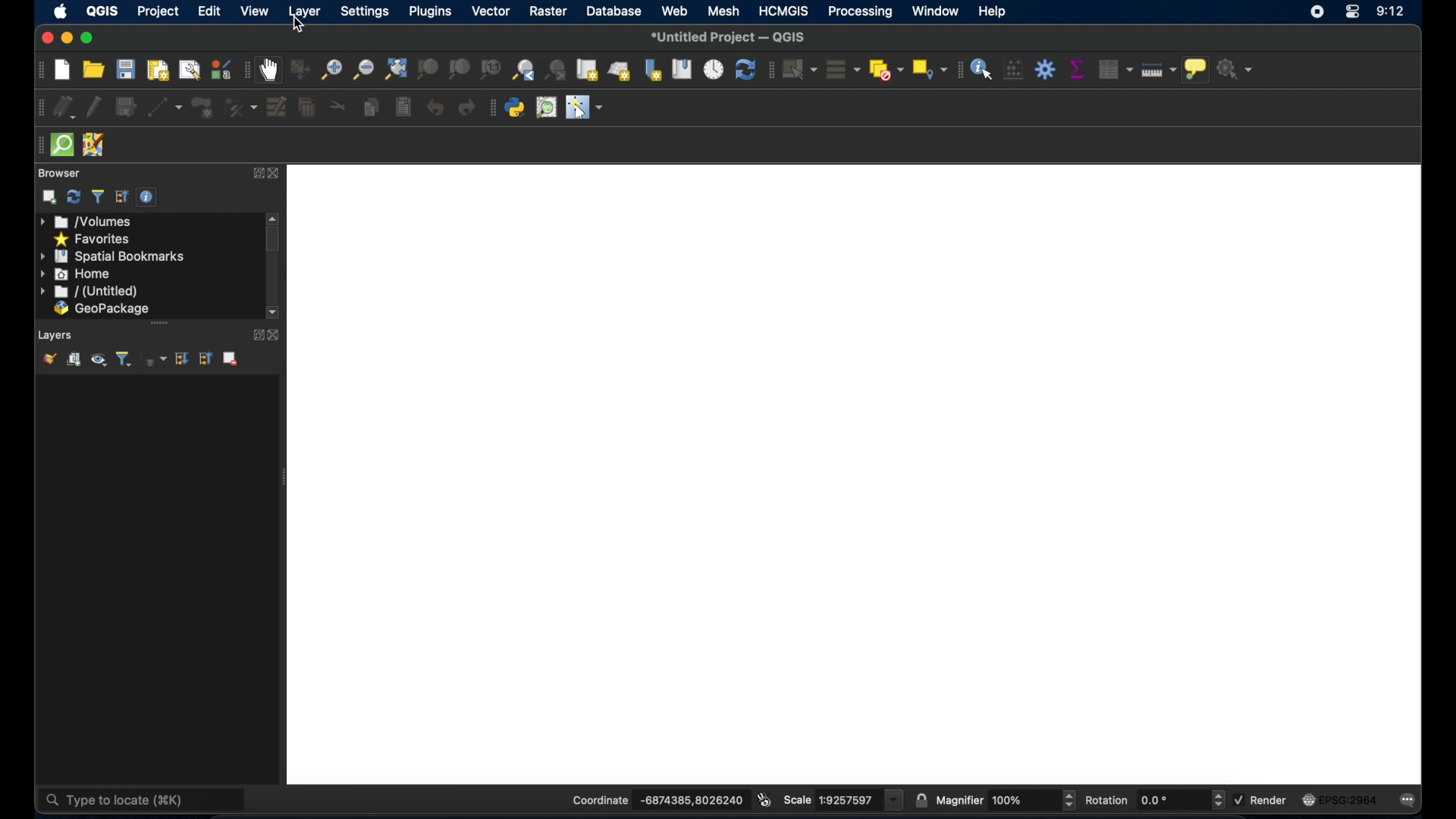  Describe the element at coordinates (330, 71) in the screenshot. I see `zoom in` at that location.